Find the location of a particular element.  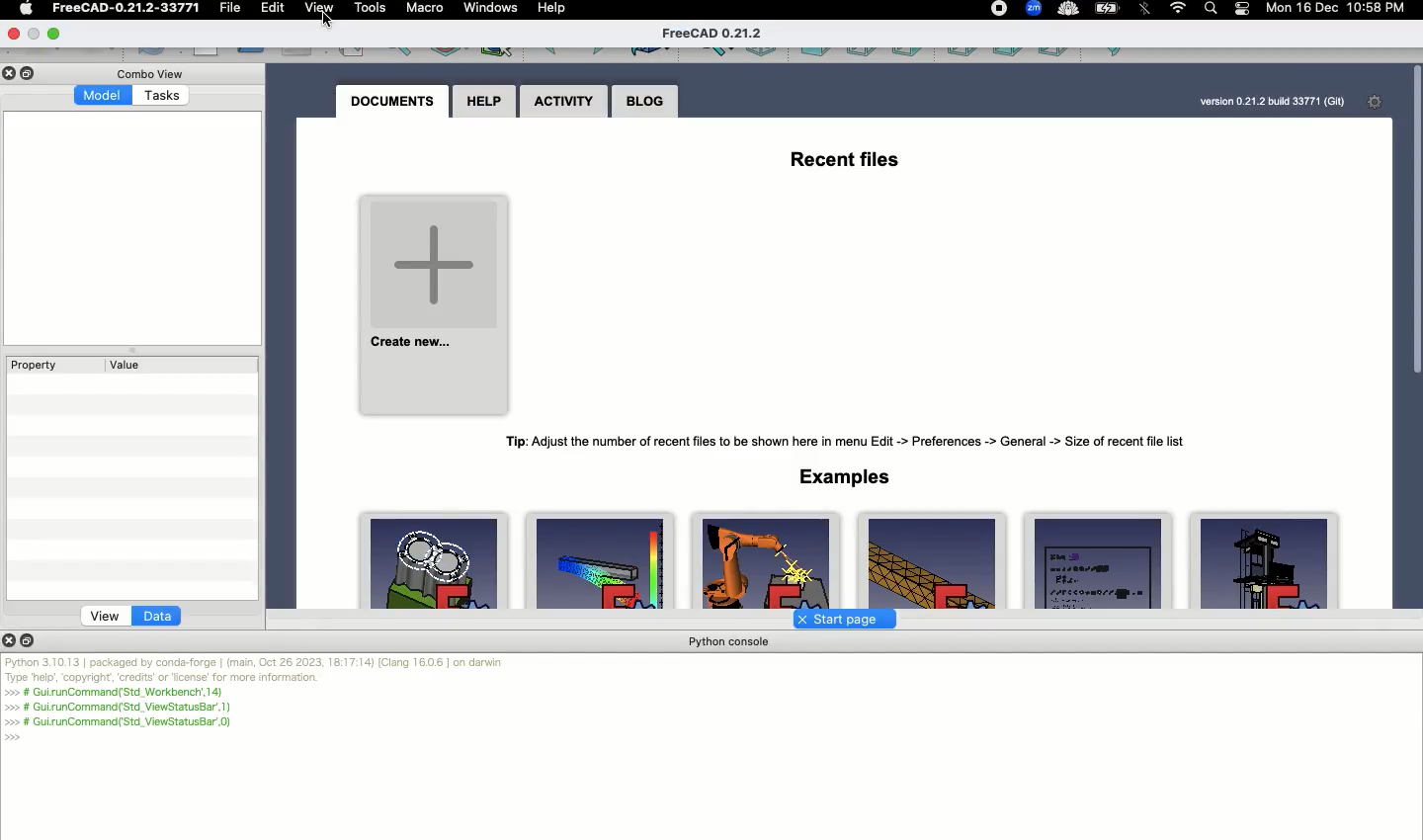

ArchDetail.FCStd.225kB is located at coordinates (1265, 561).